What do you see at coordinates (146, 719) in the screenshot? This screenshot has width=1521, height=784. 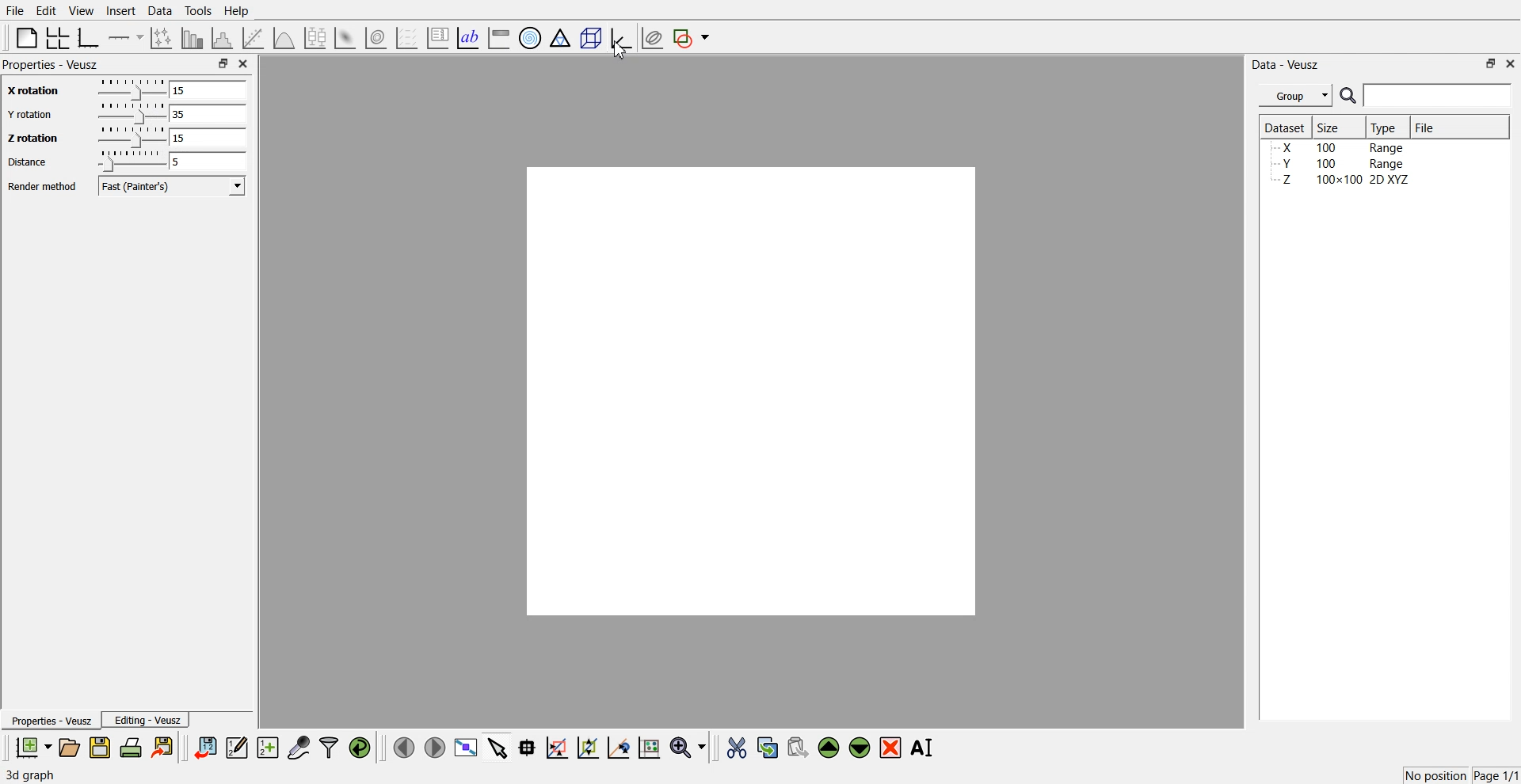 I see `Editing - Veusz` at bounding box center [146, 719].